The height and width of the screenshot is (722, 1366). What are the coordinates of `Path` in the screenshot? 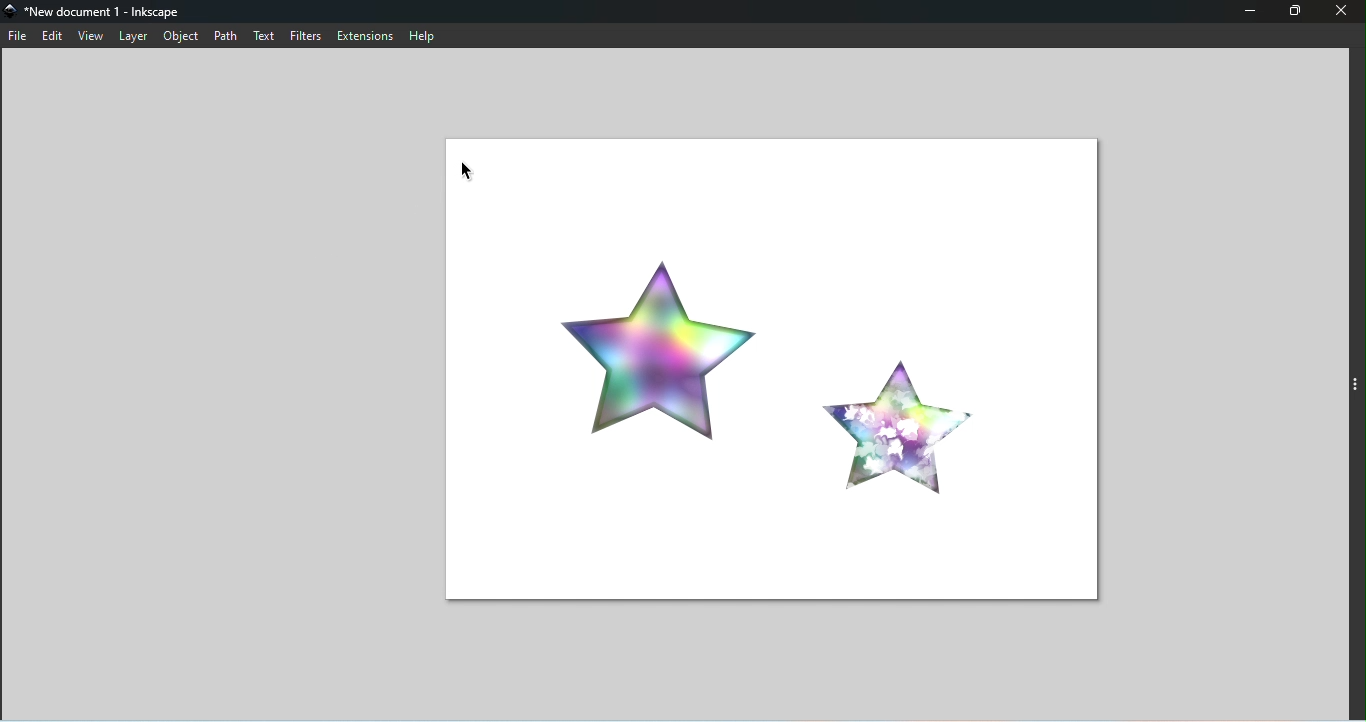 It's located at (223, 36).